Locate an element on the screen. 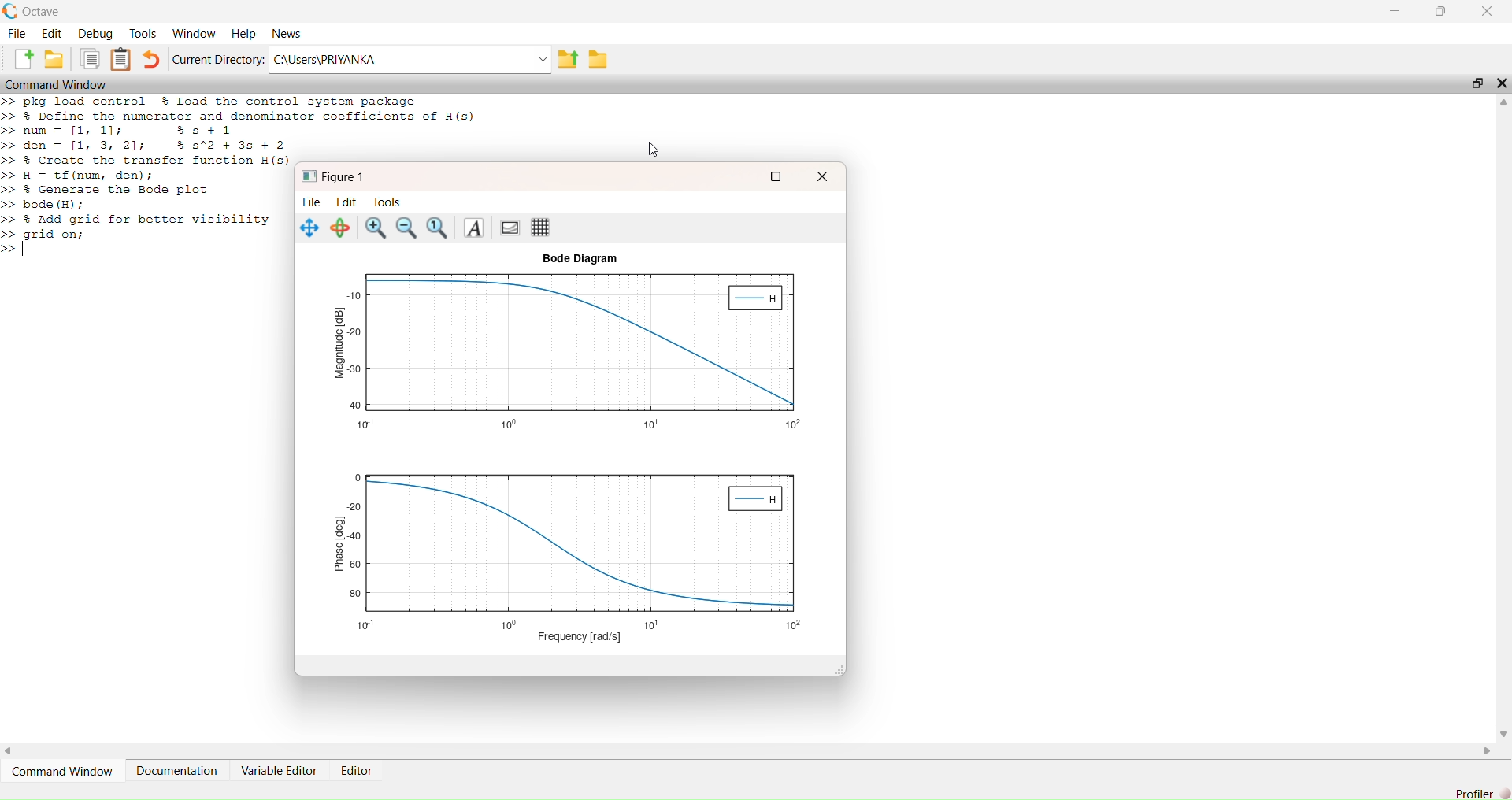  Documentation is located at coordinates (175, 770).